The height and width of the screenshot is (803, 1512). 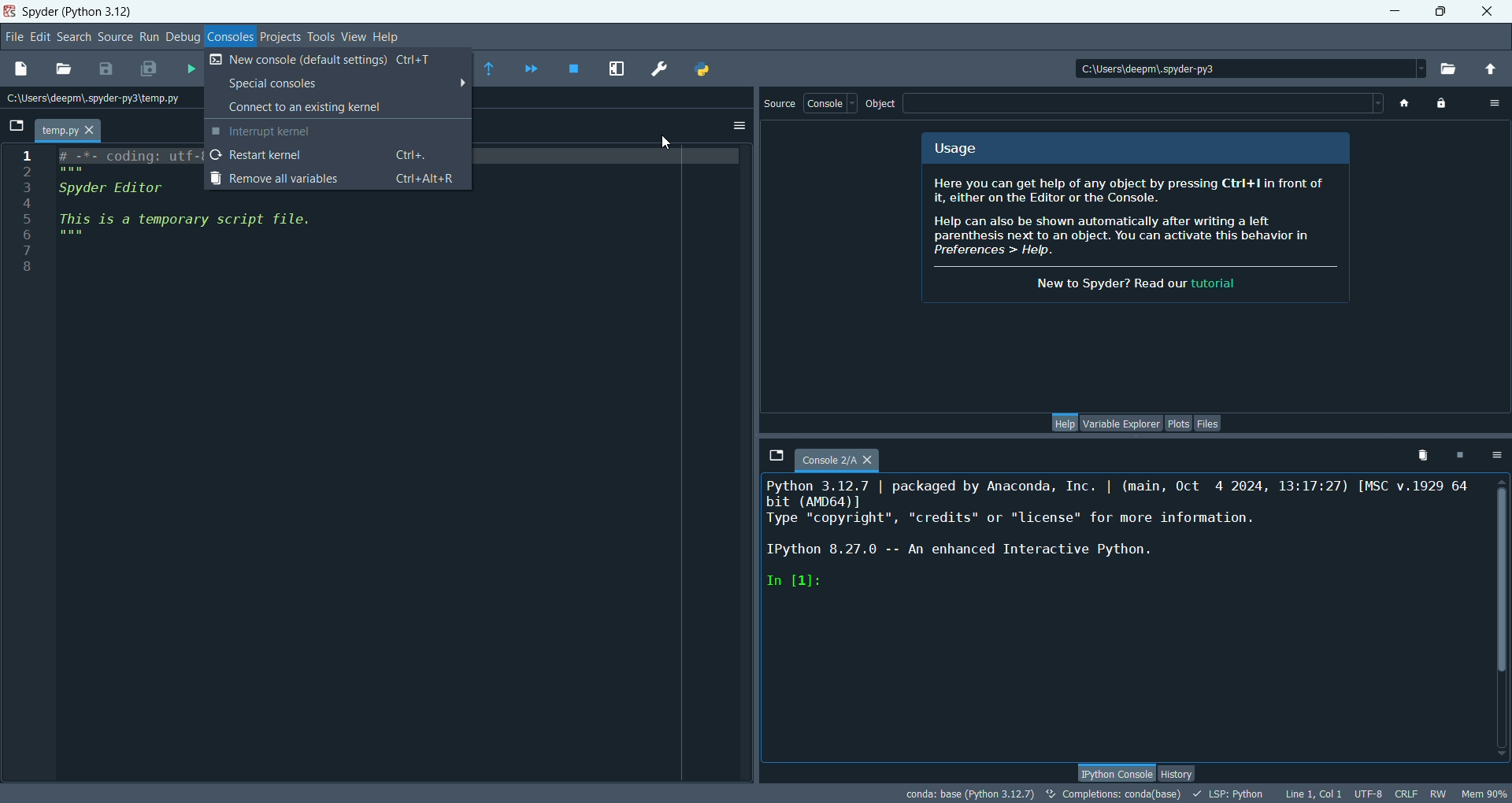 What do you see at coordinates (488, 68) in the screenshot?
I see `run until current function returns` at bounding box center [488, 68].